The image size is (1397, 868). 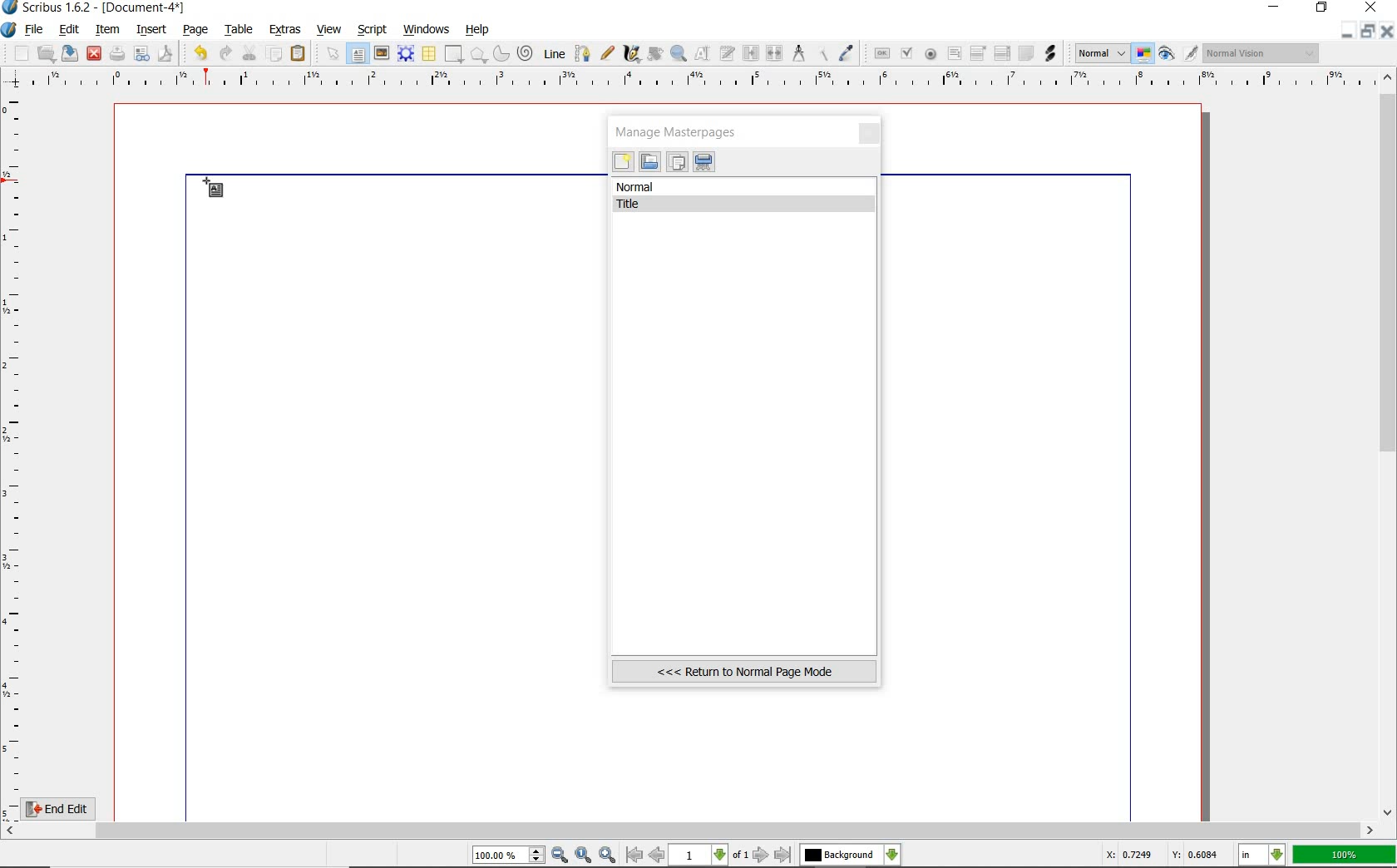 What do you see at coordinates (117, 53) in the screenshot?
I see `print` at bounding box center [117, 53].